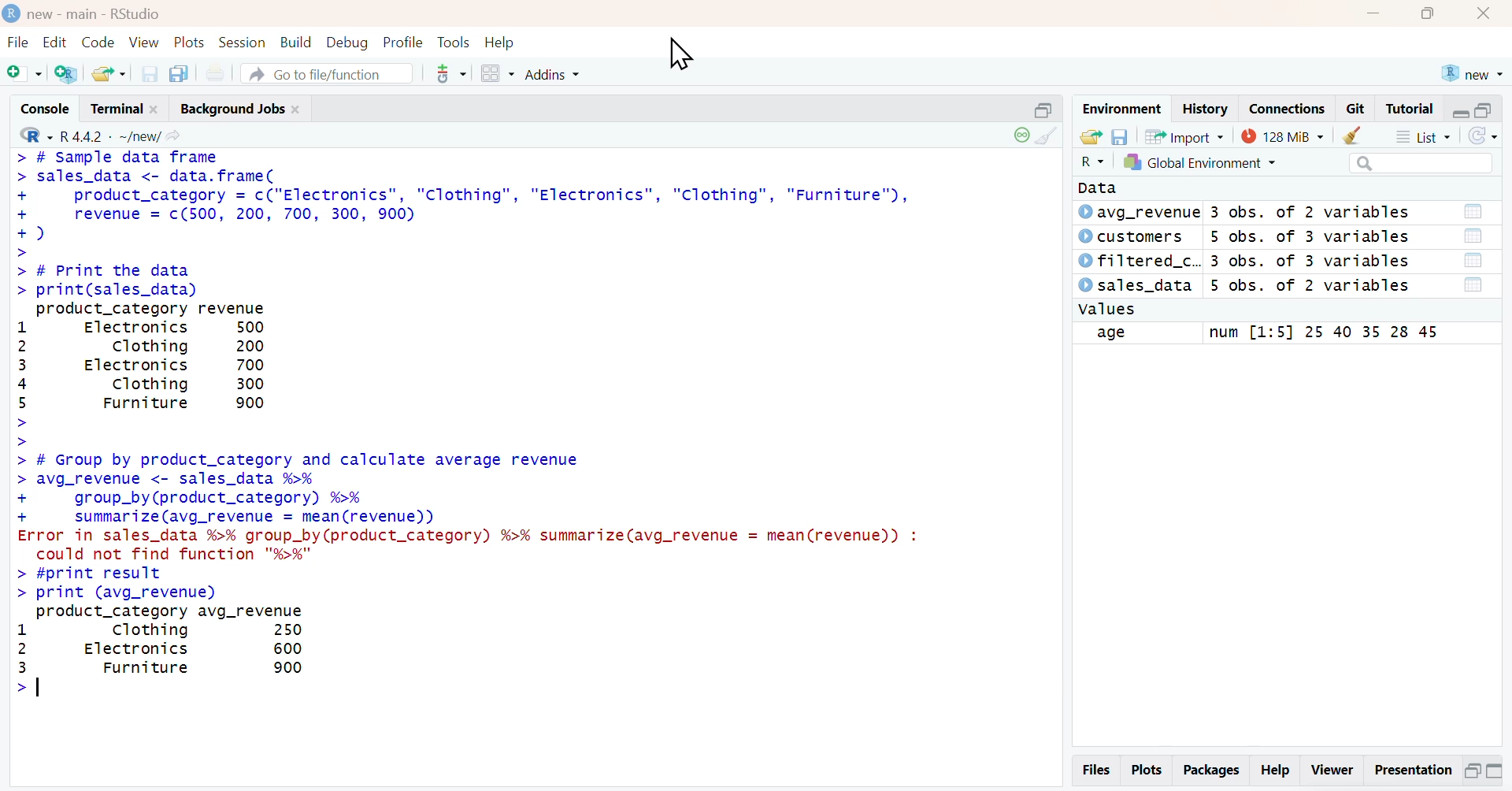  Describe the element at coordinates (121, 136) in the screenshot. I see `R 4.4.2 . ~/new/` at that location.